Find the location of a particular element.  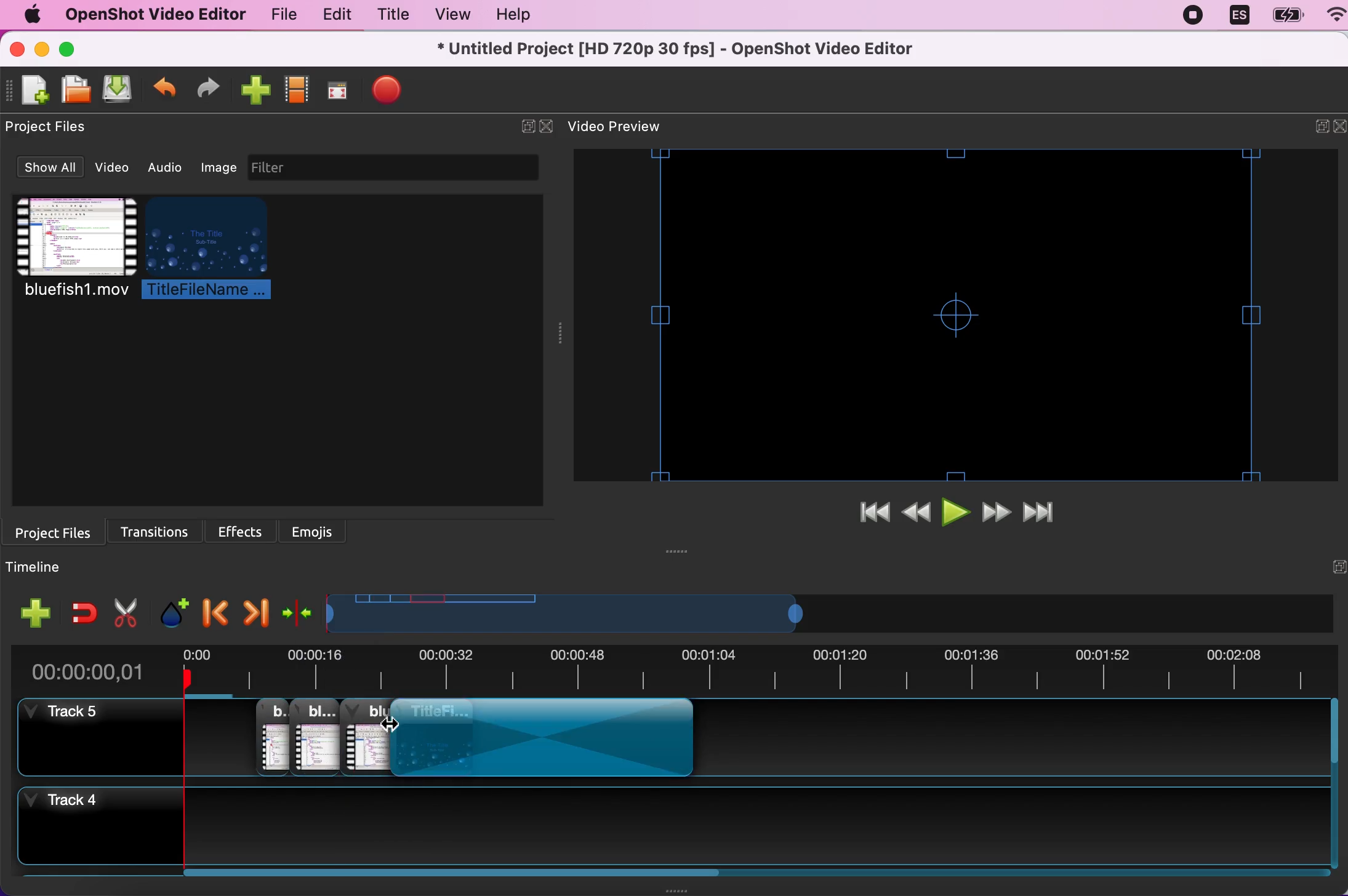

video duration is located at coordinates (660, 614).